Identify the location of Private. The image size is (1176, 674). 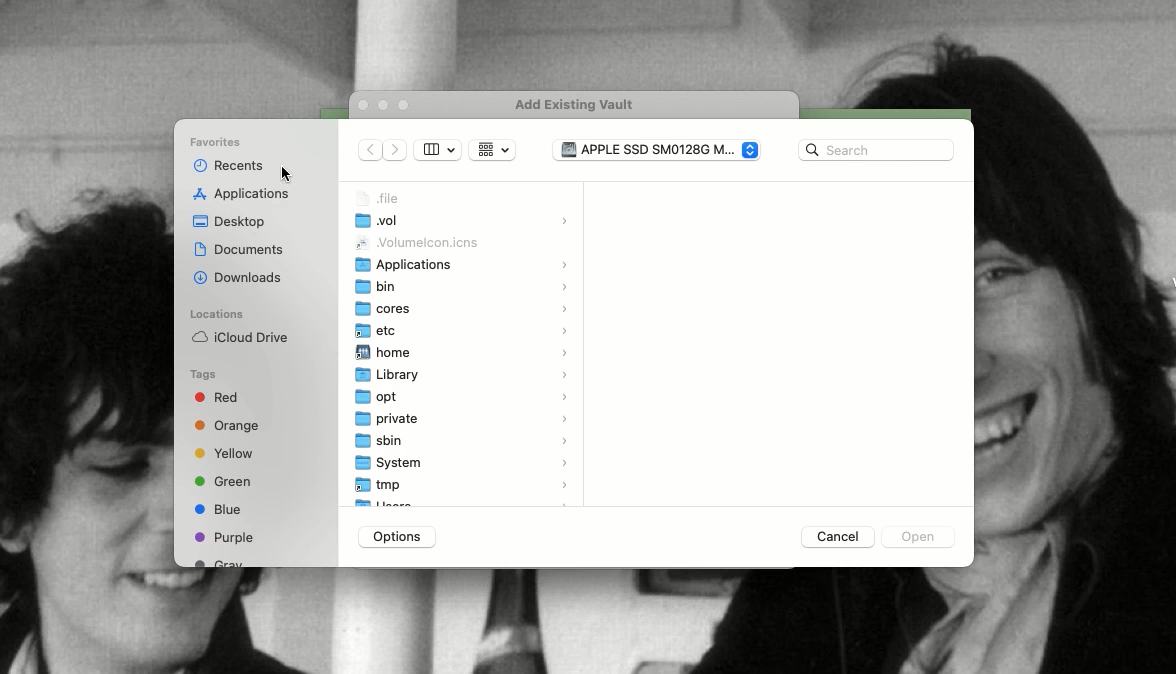
(463, 420).